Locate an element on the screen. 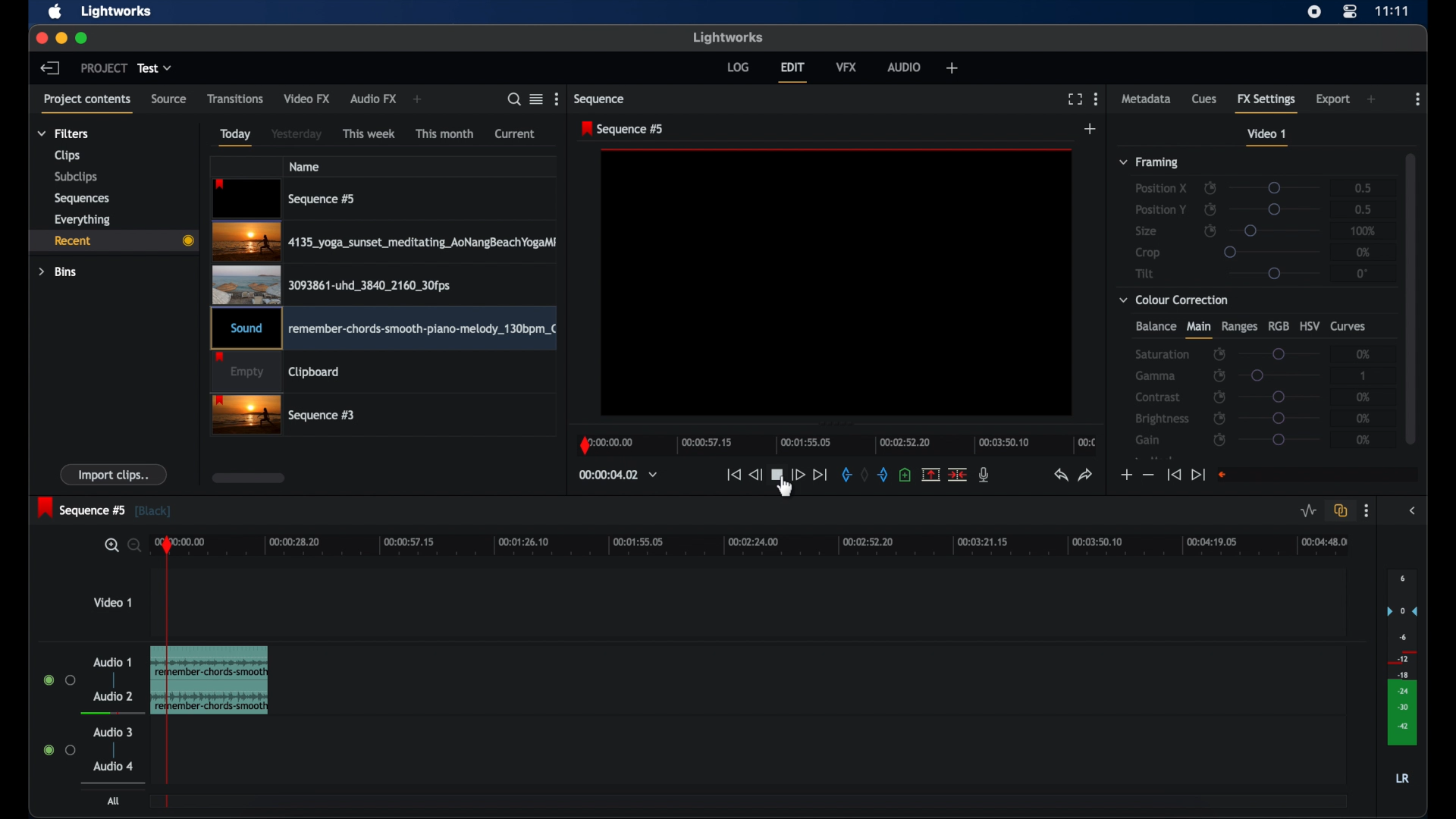 This screenshot has height=819, width=1456. 0.5 is located at coordinates (1363, 209).